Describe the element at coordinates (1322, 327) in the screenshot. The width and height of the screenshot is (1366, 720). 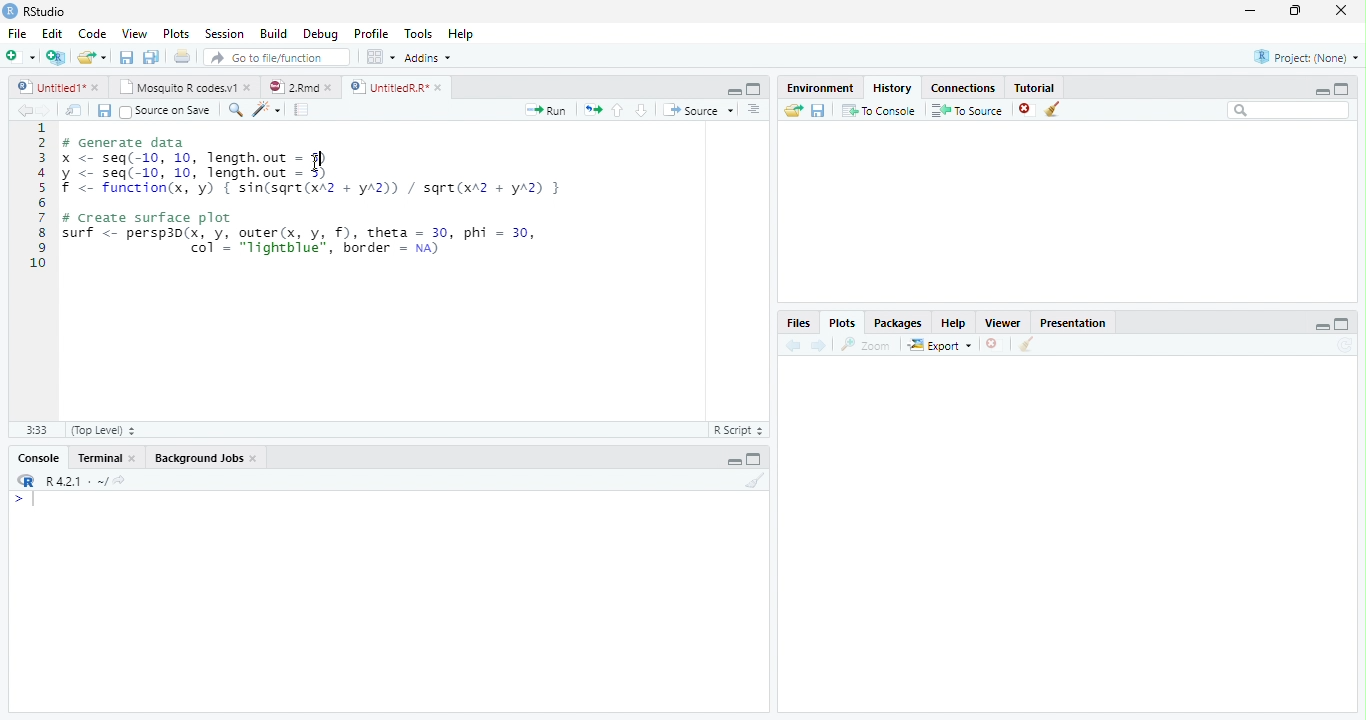
I see `minimize` at that location.